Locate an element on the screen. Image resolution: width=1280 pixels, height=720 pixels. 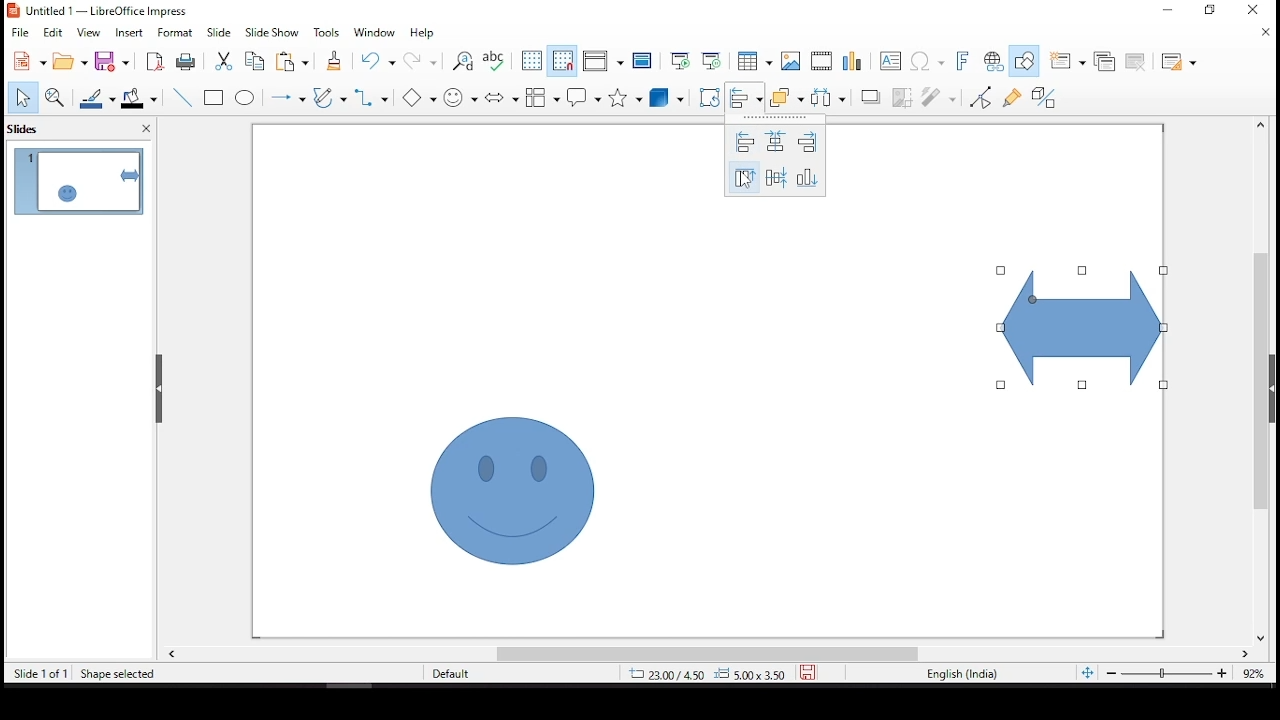
insert audio or video is located at coordinates (823, 61).